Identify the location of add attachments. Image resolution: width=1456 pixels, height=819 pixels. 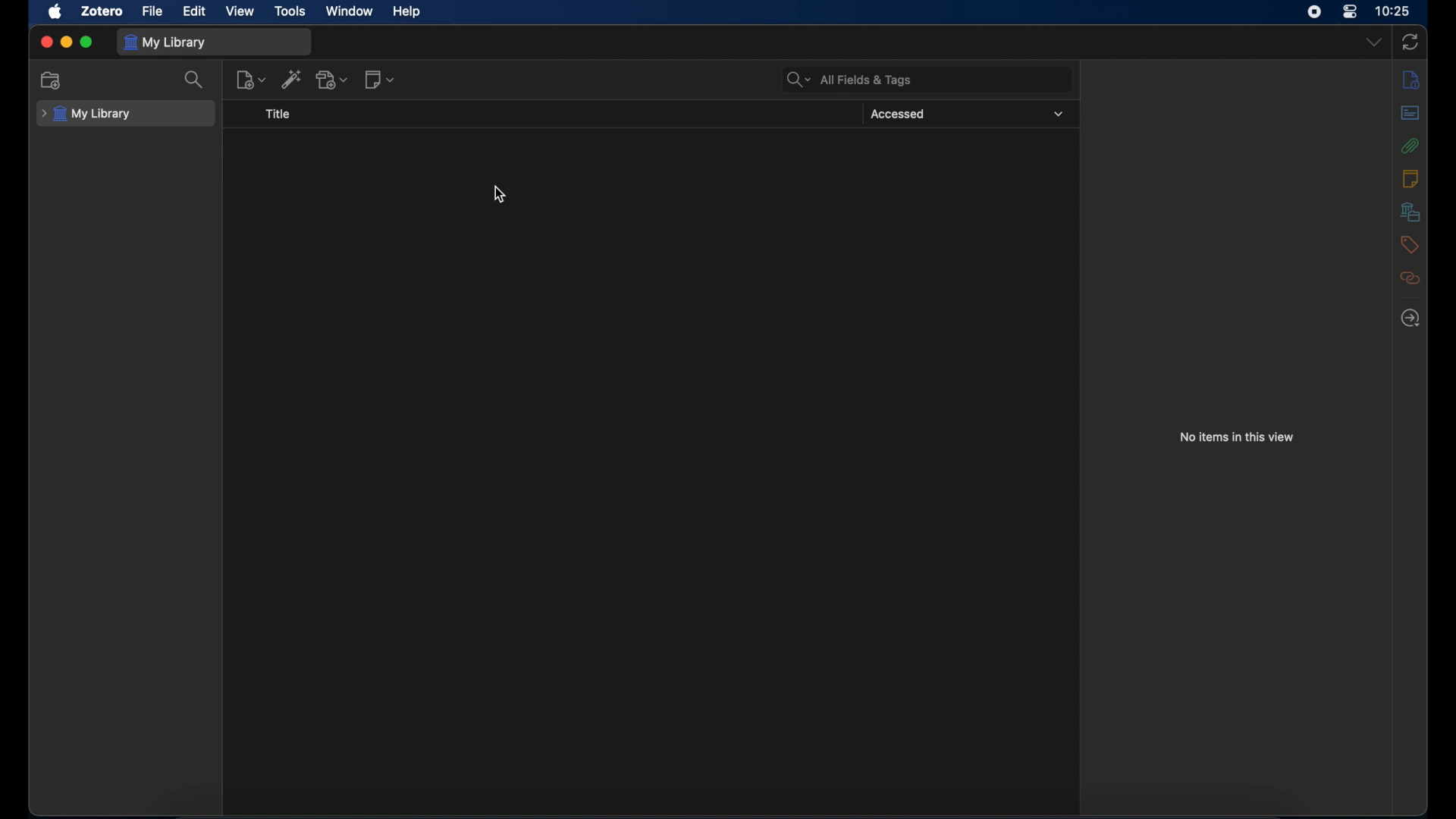
(333, 79).